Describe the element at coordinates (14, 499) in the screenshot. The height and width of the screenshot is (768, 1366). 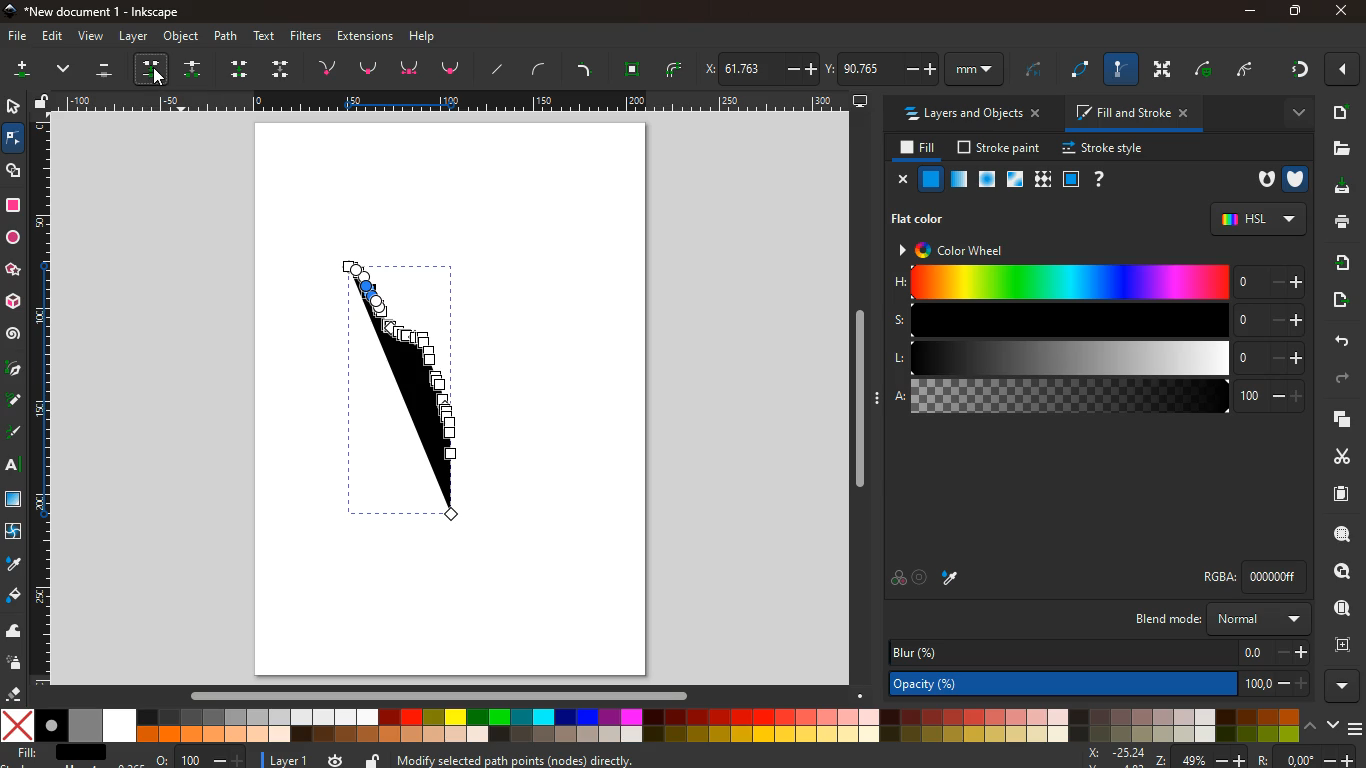
I see `texture` at that location.